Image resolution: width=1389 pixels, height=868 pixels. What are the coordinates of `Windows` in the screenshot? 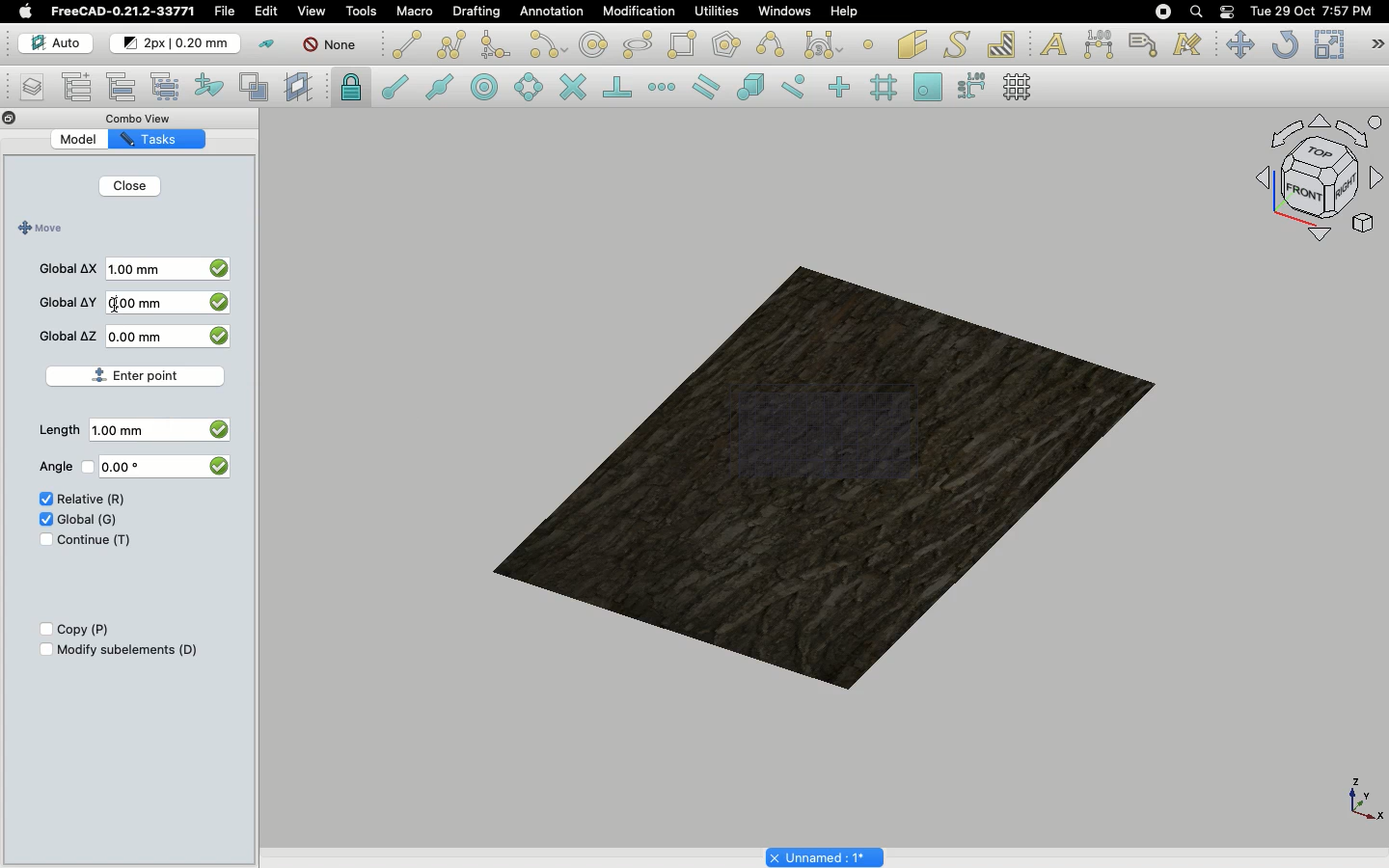 It's located at (789, 14).